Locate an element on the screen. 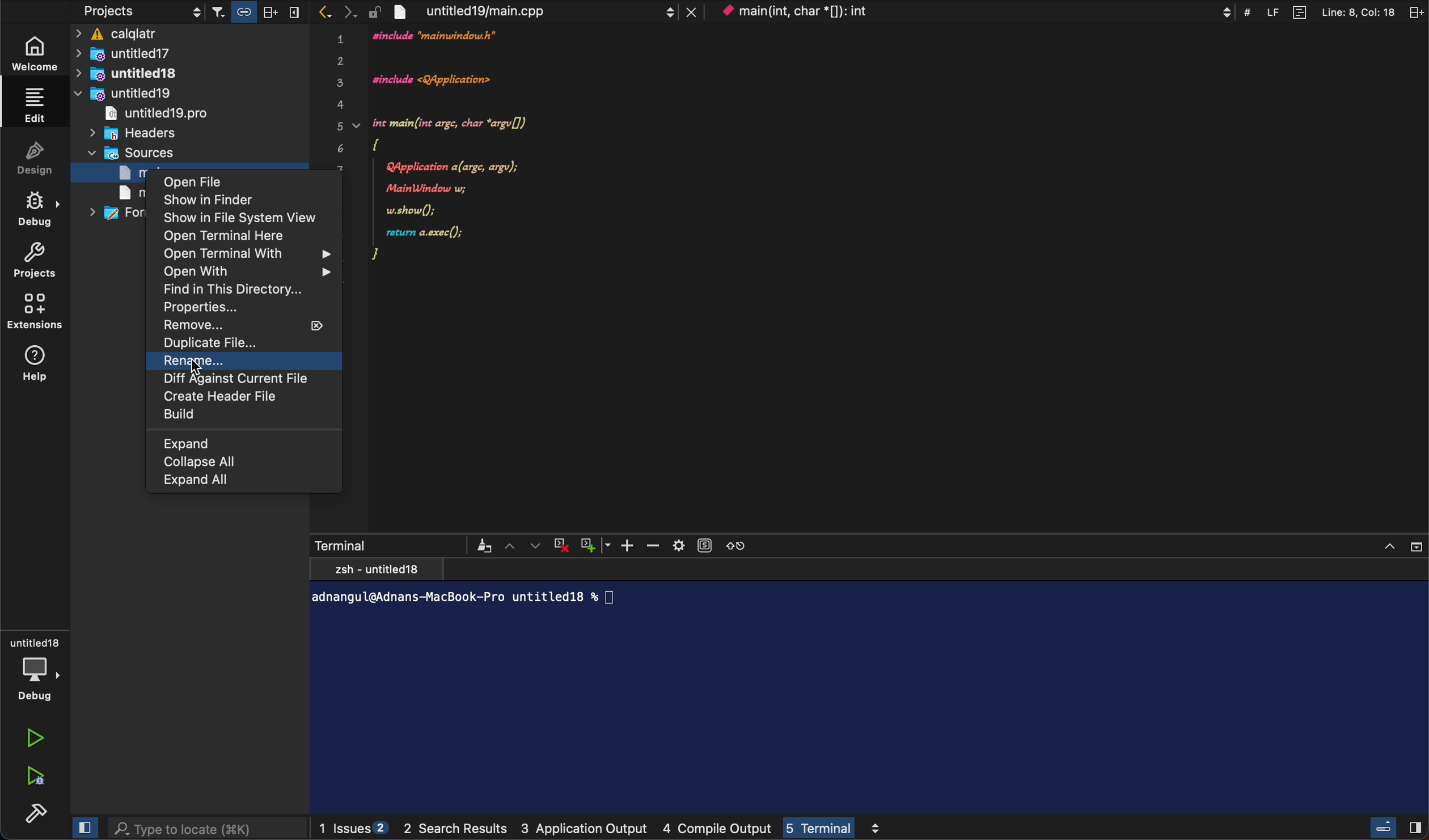 The width and height of the screenshot is (1429, 840). forms is located at coordinates (116, 213).